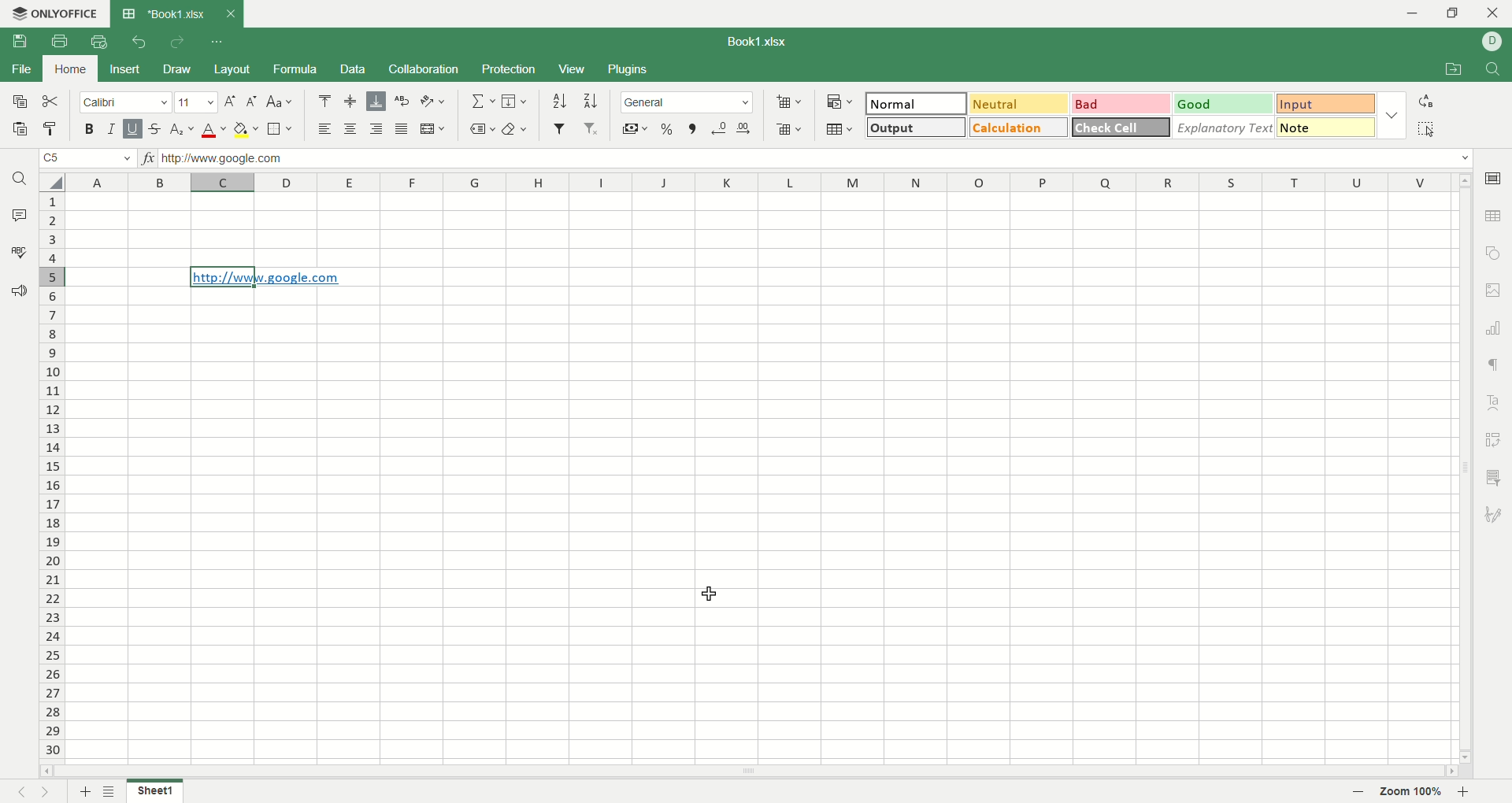 This screenshot has width=1512, height=803. What do you see at coordinates (692, 128) in the screenshot?
I see `comma style` at bounding box center [692, 128].